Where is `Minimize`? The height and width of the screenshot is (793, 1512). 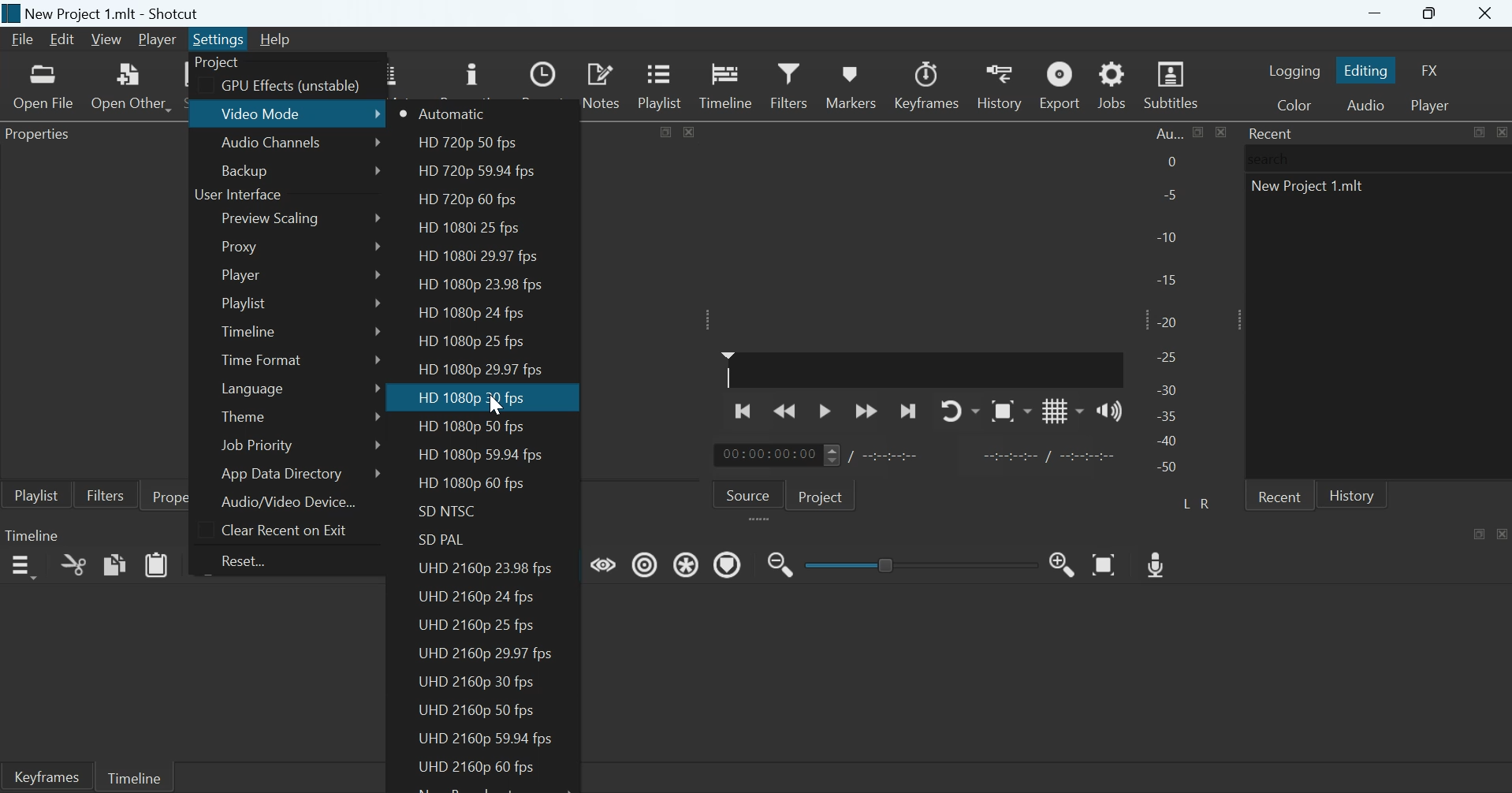 Minimize is located at coordinates (1375, 13).